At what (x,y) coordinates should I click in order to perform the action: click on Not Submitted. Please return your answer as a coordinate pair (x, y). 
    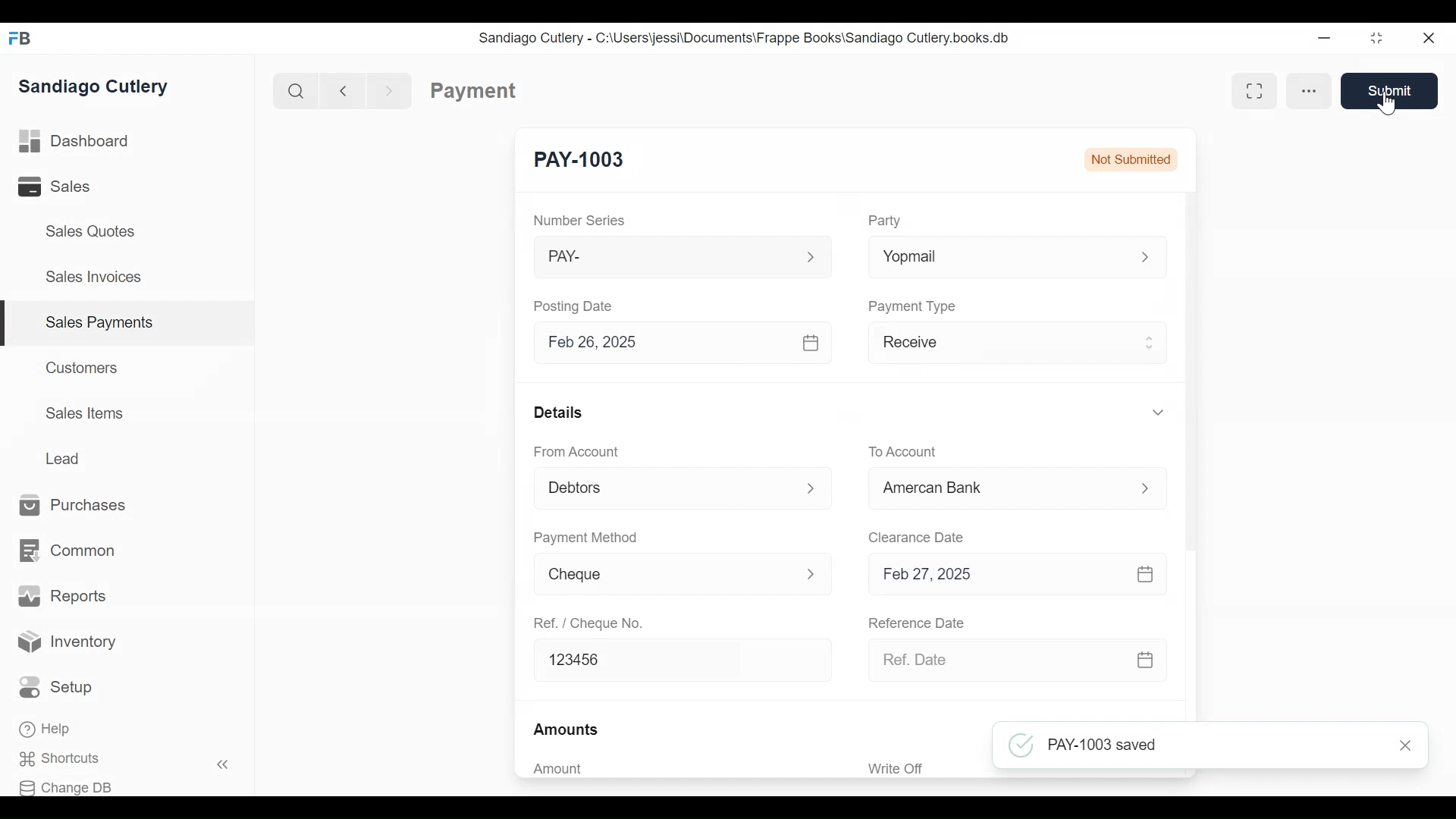
    Looking at the image, I should click on (1131, 158).